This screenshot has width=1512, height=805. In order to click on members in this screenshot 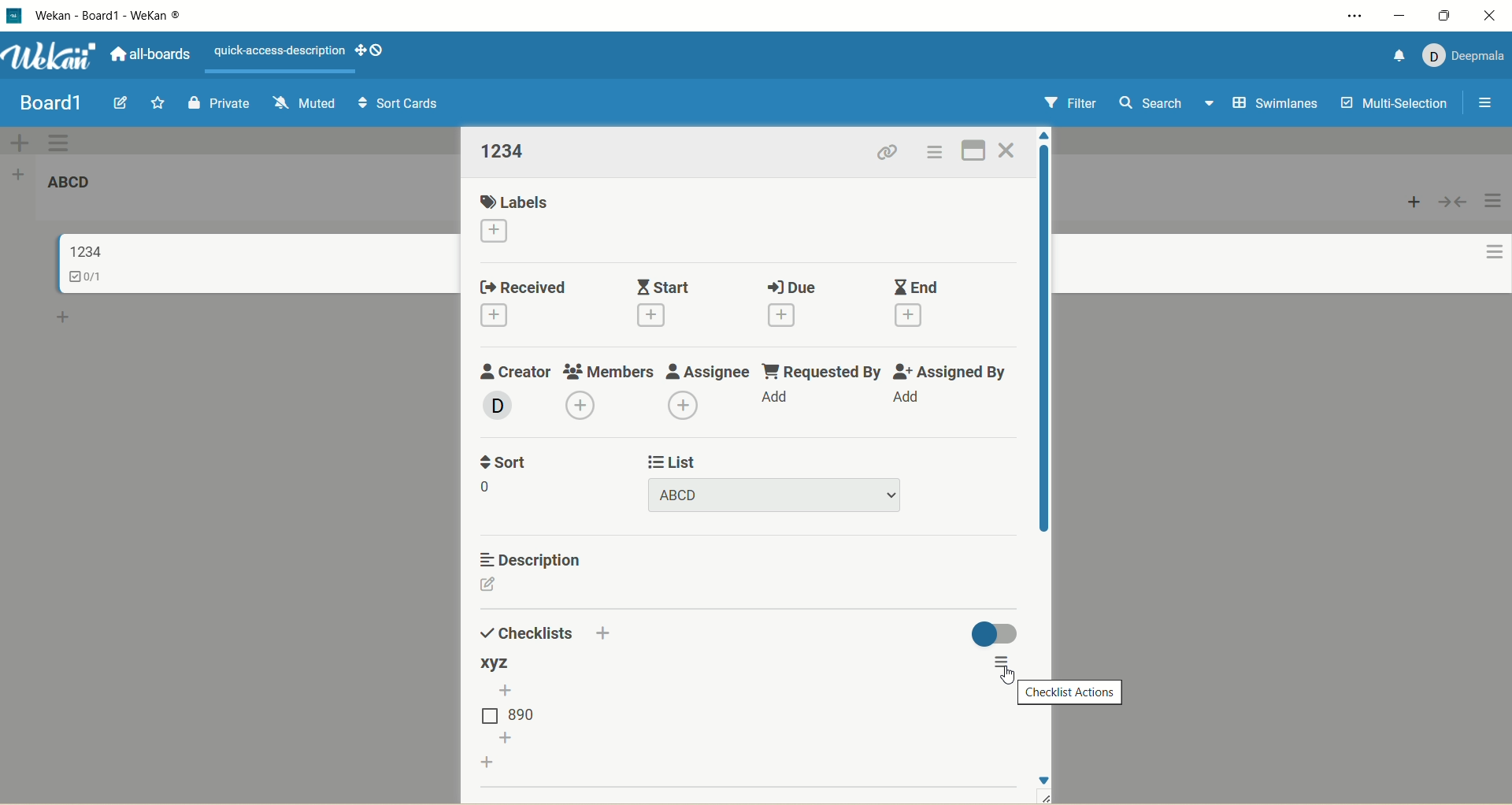, I will do `click(608, 369)`.